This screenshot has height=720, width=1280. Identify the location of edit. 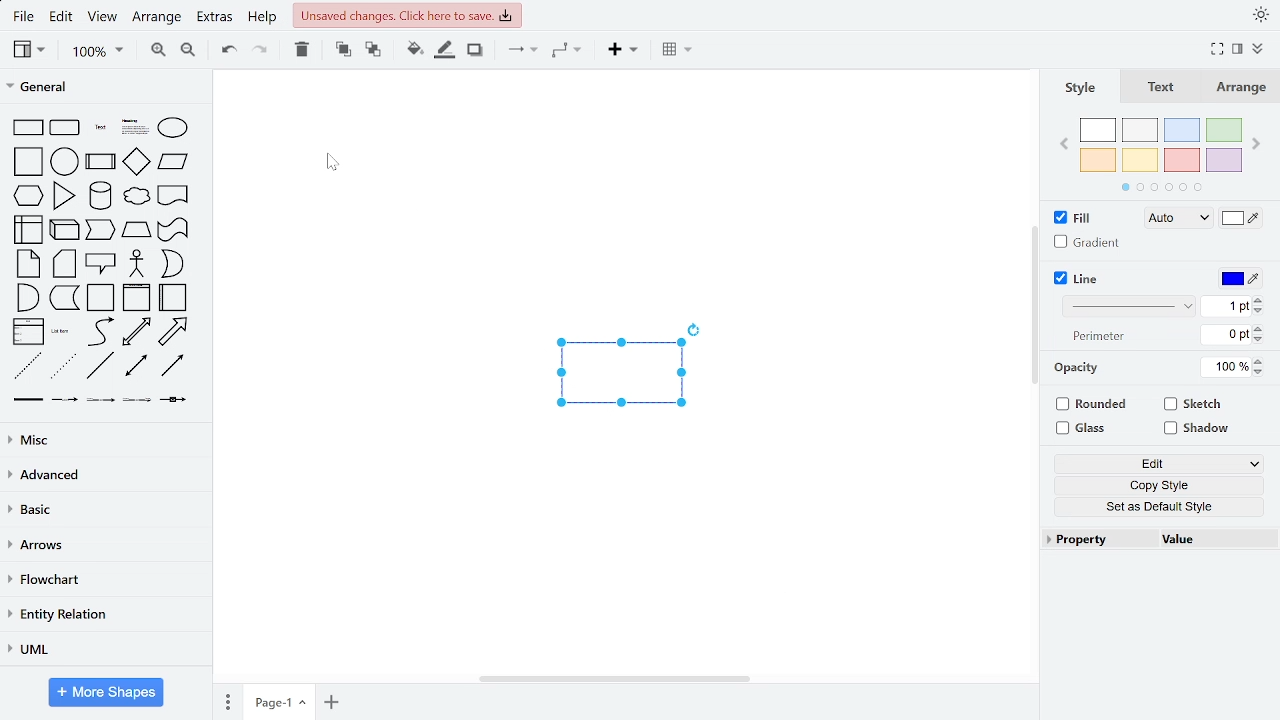
(1156, 462).